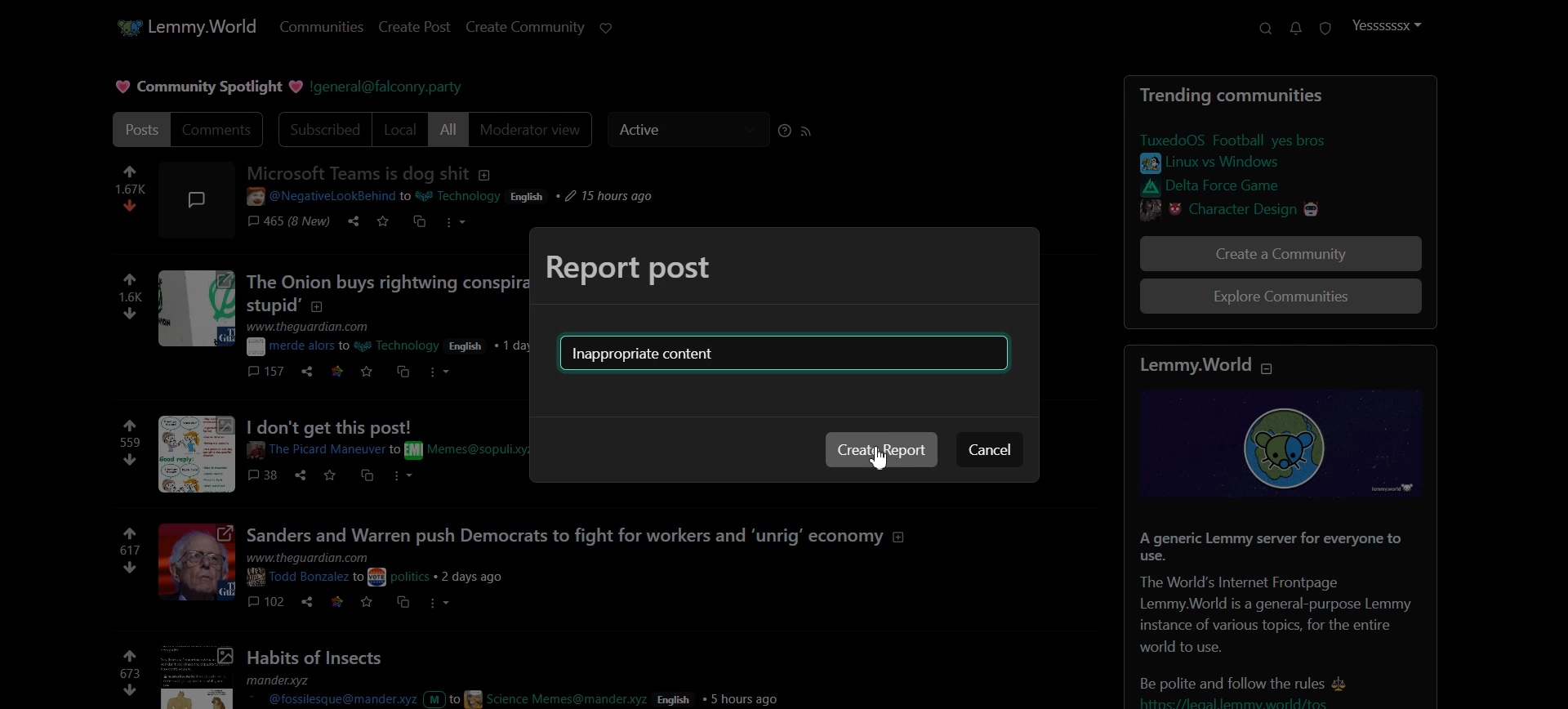  What do you see at coordinates (308, 600) in the screenshot?
I see `share` at bounding box center [308, 600].